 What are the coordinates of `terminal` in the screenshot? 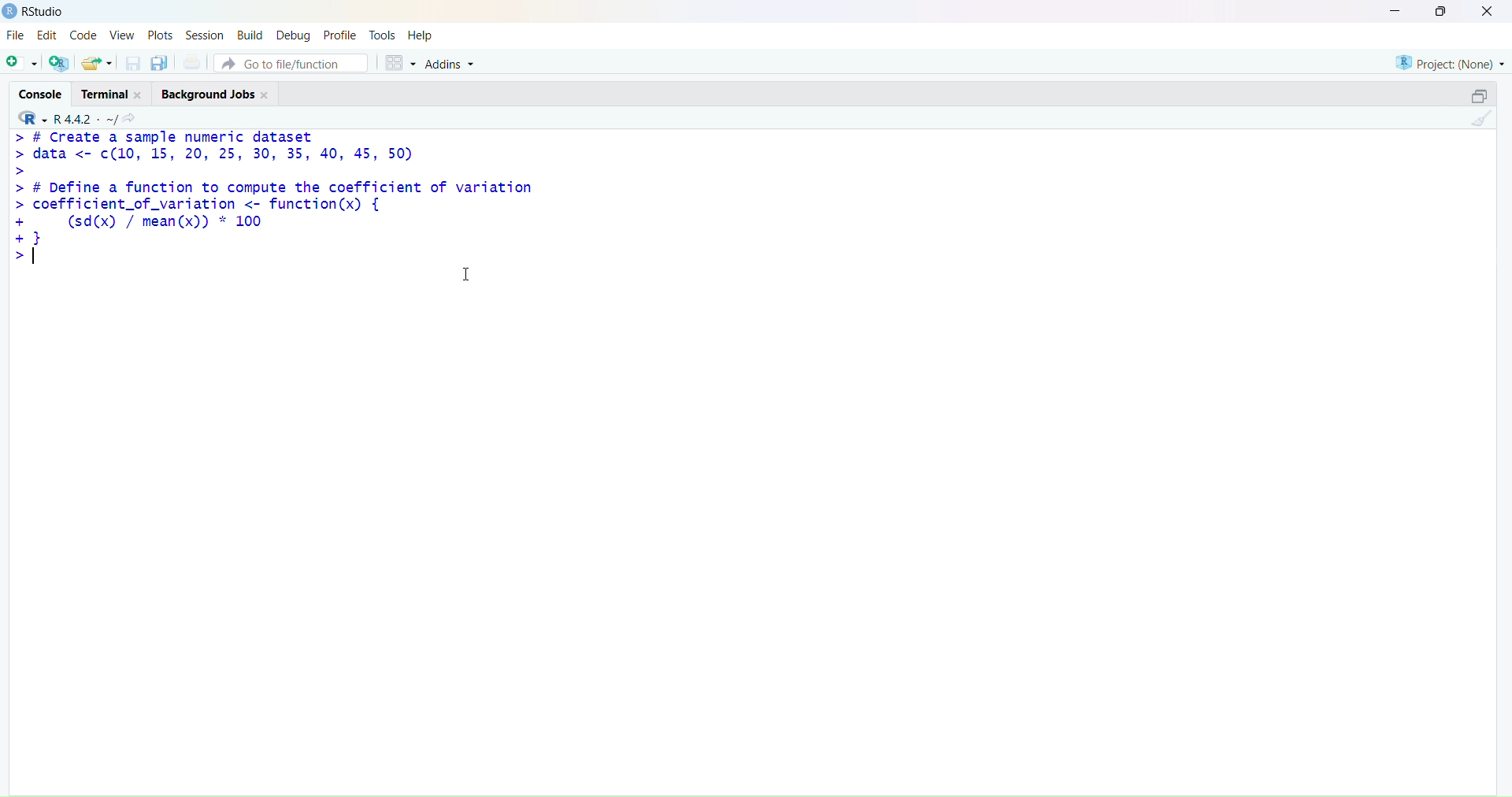 It's located at (106, 95).